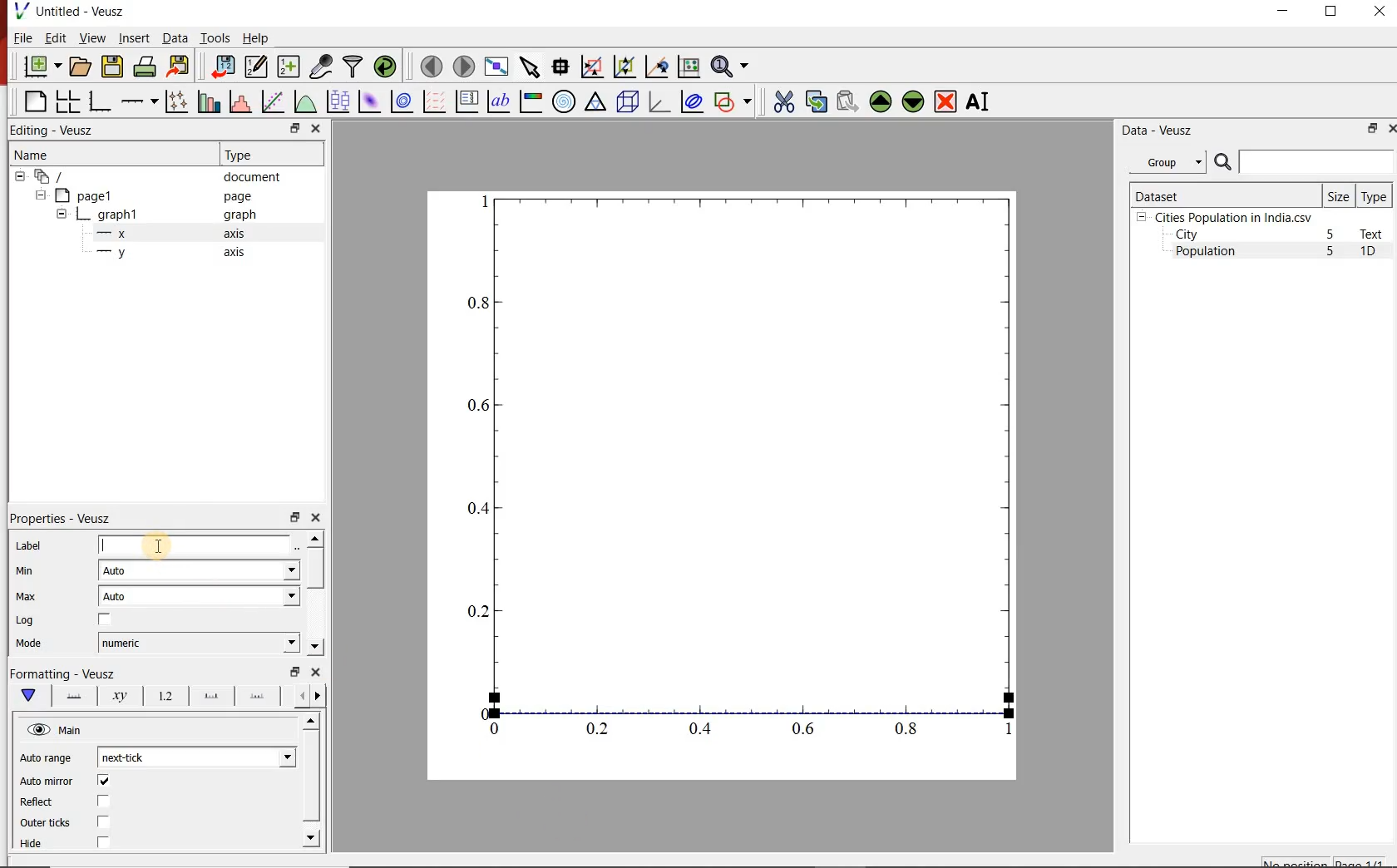  I want to click on Name, so click(94, 154).